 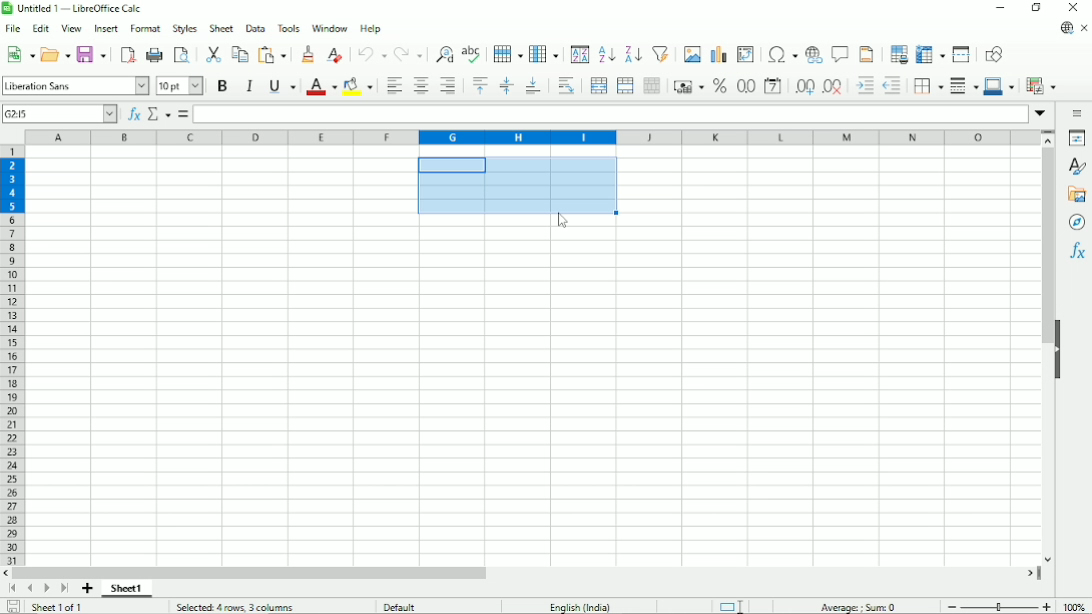 I want to click on Language, so click(x=584, y=605).